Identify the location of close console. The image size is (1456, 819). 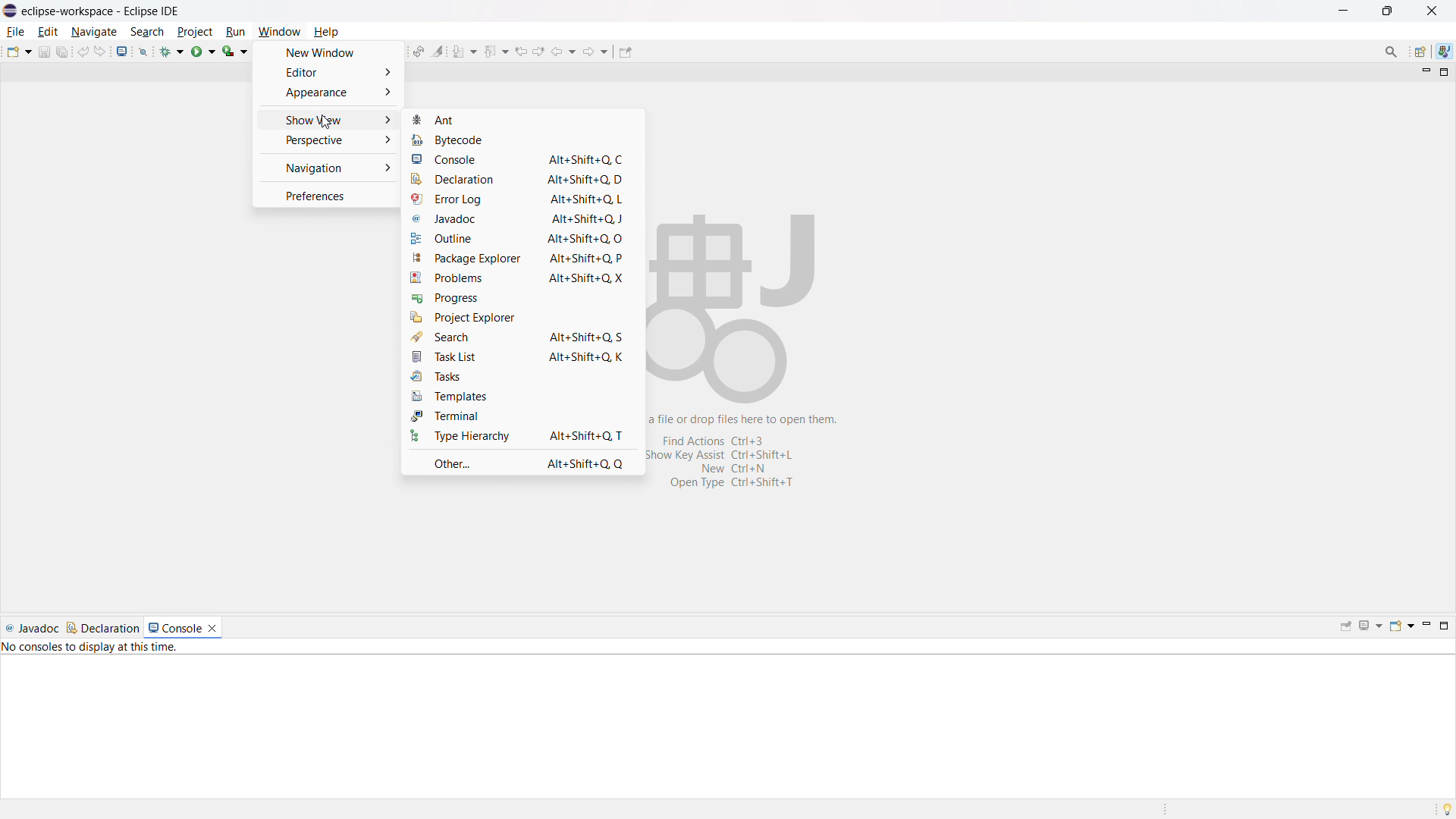
(212, 627).